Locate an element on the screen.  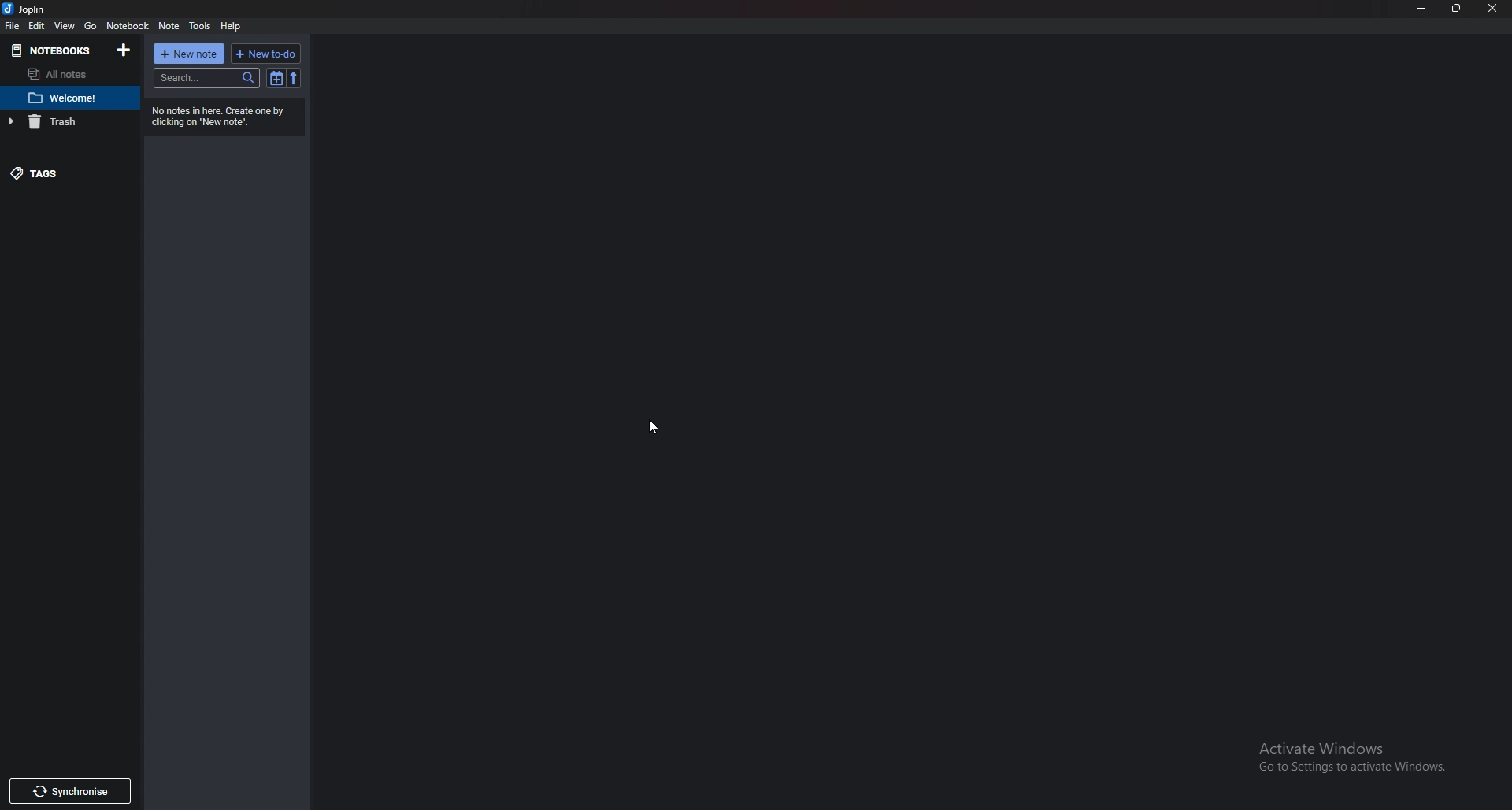
Synchronize is located at coordinates (69, 792).